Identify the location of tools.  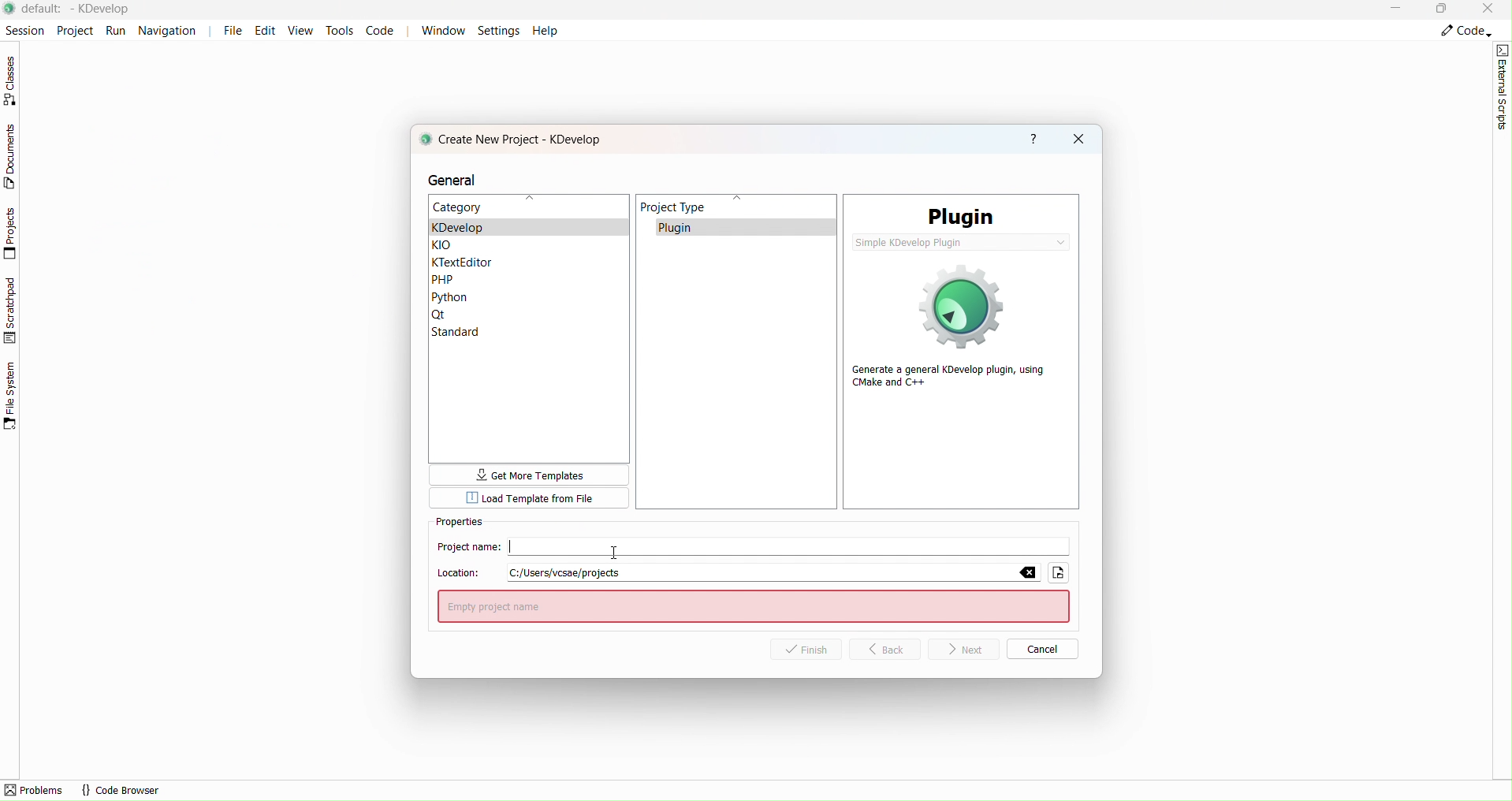
(339, 30).